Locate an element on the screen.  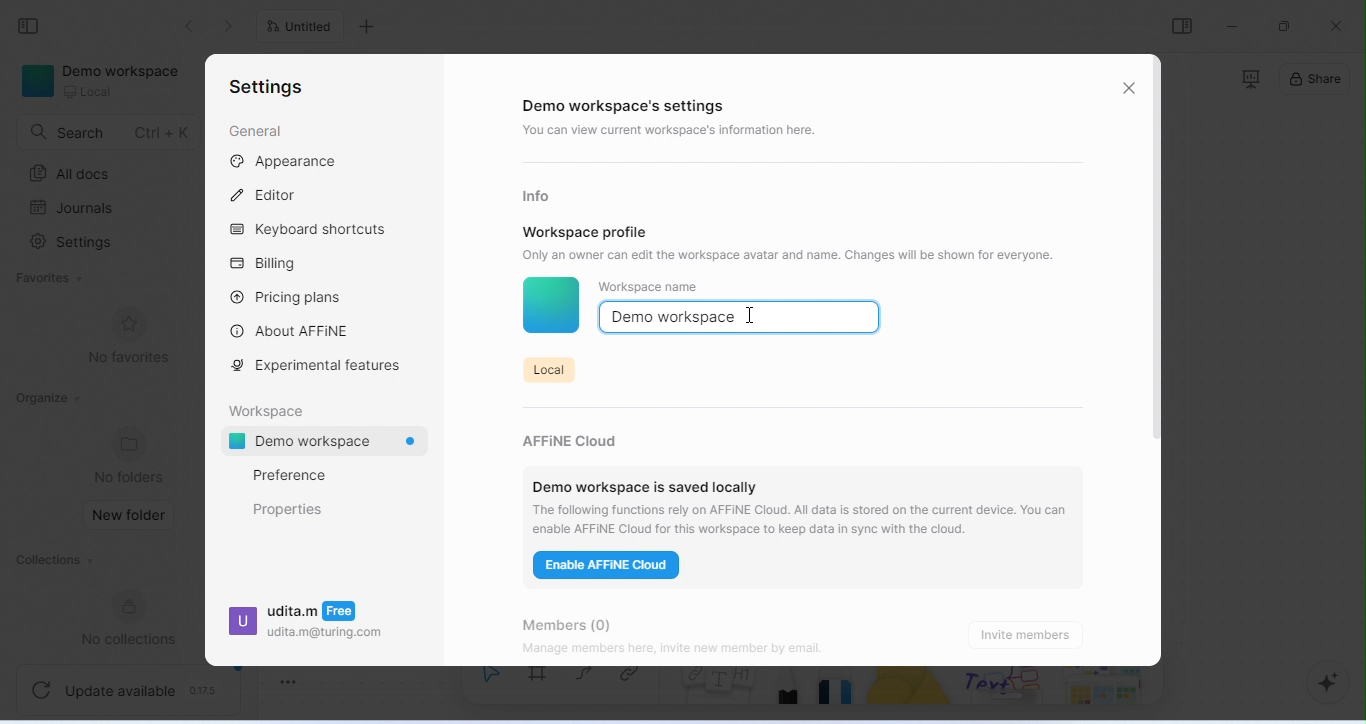
pencil is located at coordinates (790, 693).